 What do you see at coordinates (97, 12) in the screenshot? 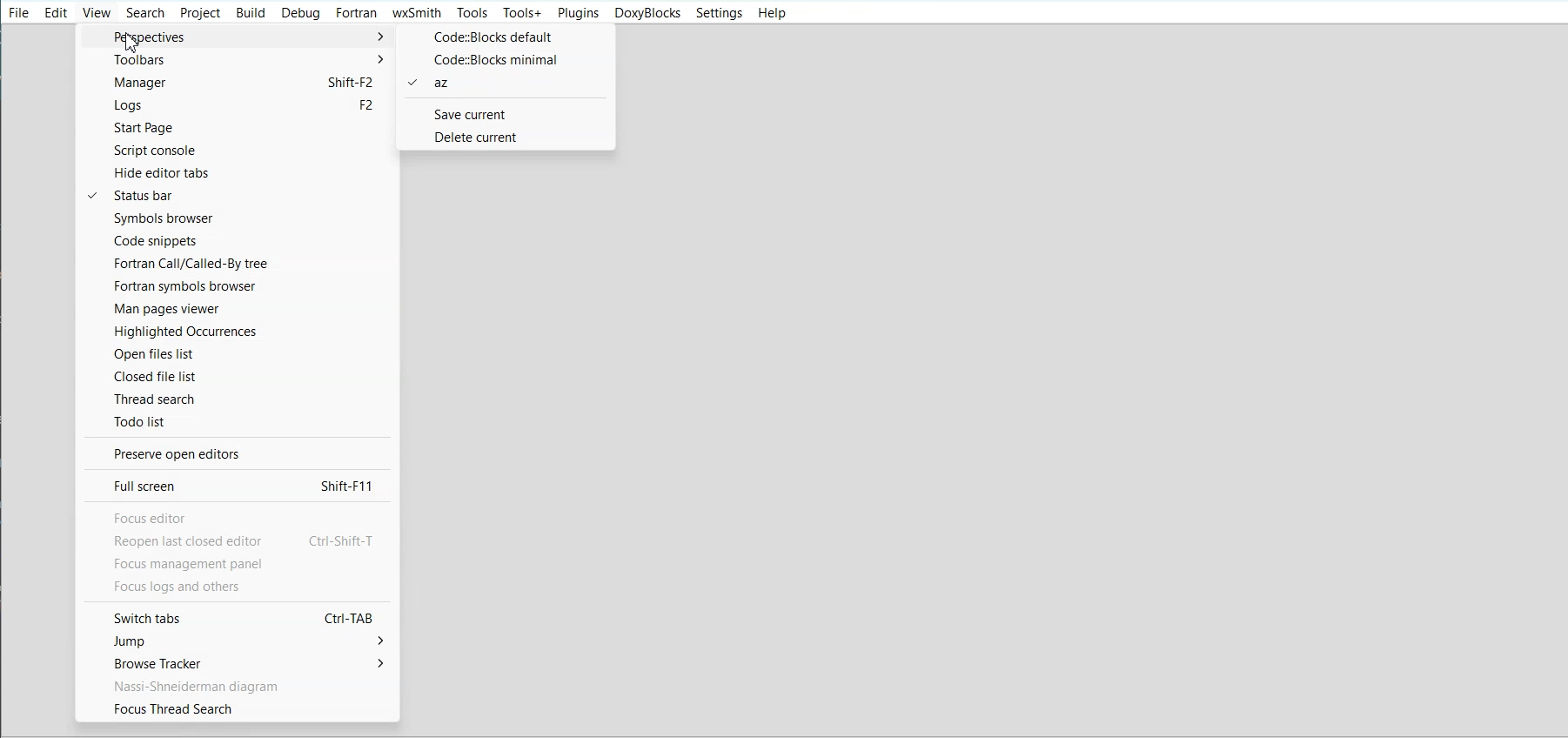
I see `View` at bounding box center [97, 12].